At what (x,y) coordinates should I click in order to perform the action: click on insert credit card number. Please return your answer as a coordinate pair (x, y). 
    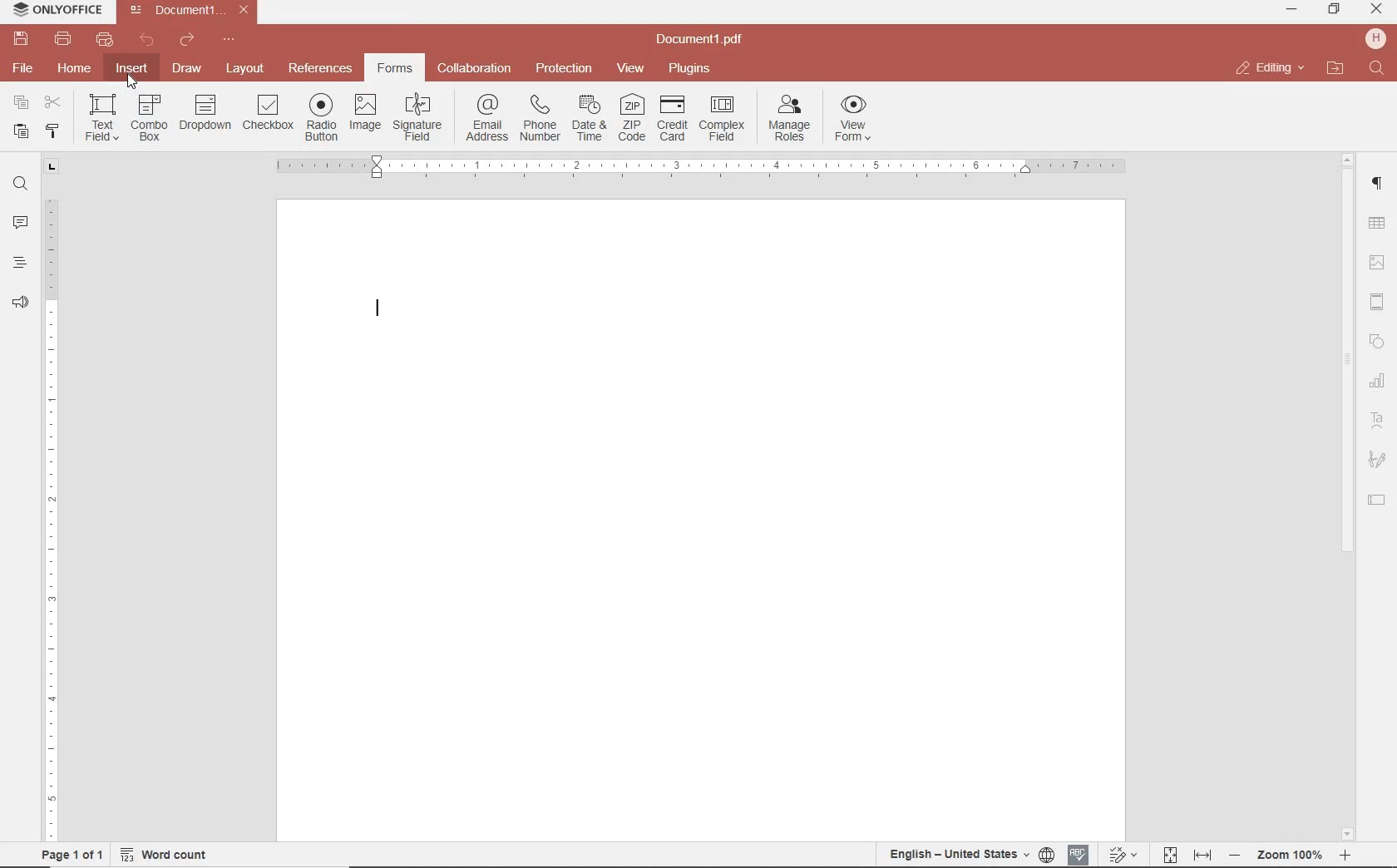
    Looking at the image, I should click on (673, 120).